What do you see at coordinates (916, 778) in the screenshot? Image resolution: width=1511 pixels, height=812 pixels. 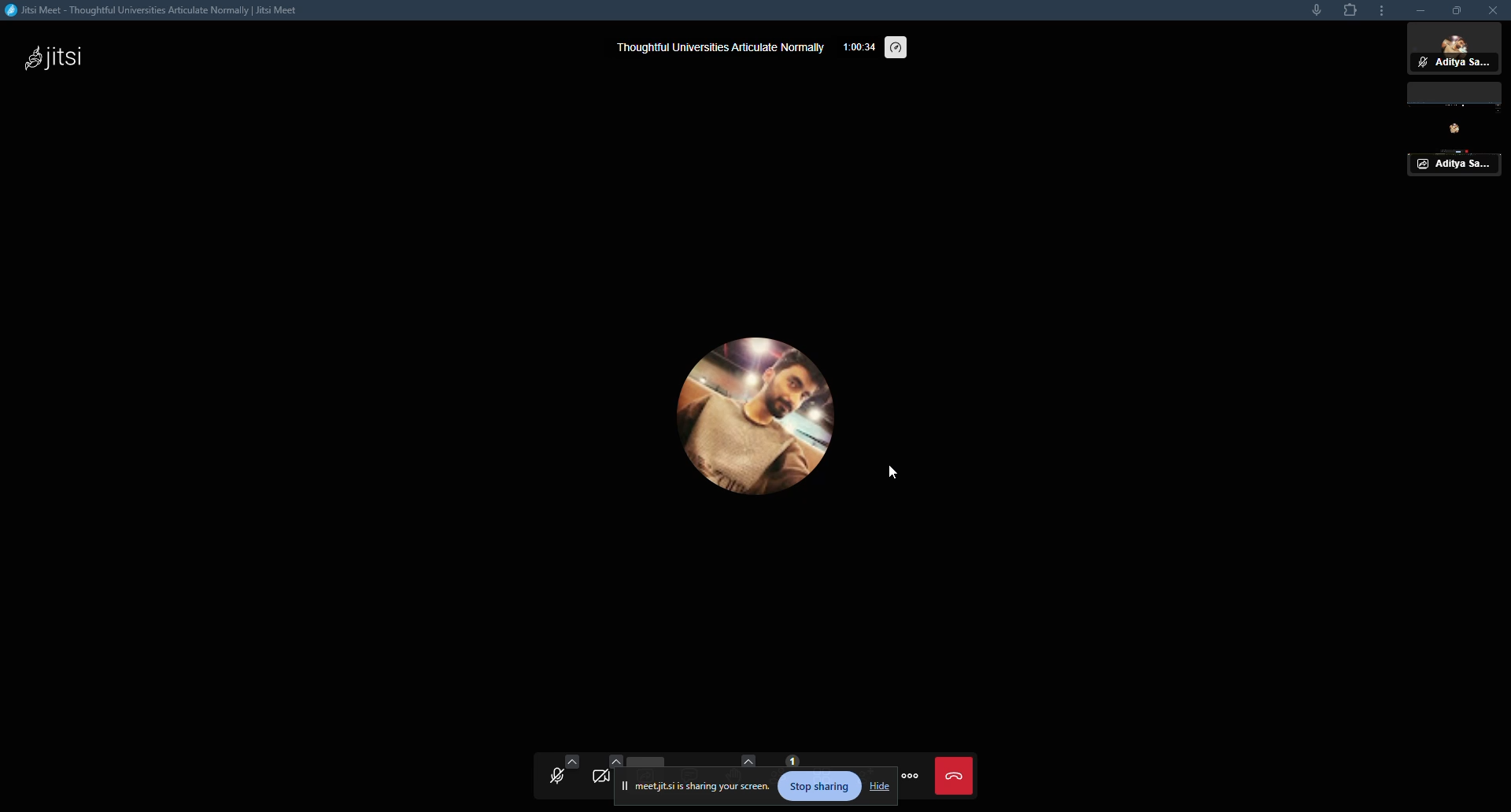 I see `menu` at bounding box center [916, 778].